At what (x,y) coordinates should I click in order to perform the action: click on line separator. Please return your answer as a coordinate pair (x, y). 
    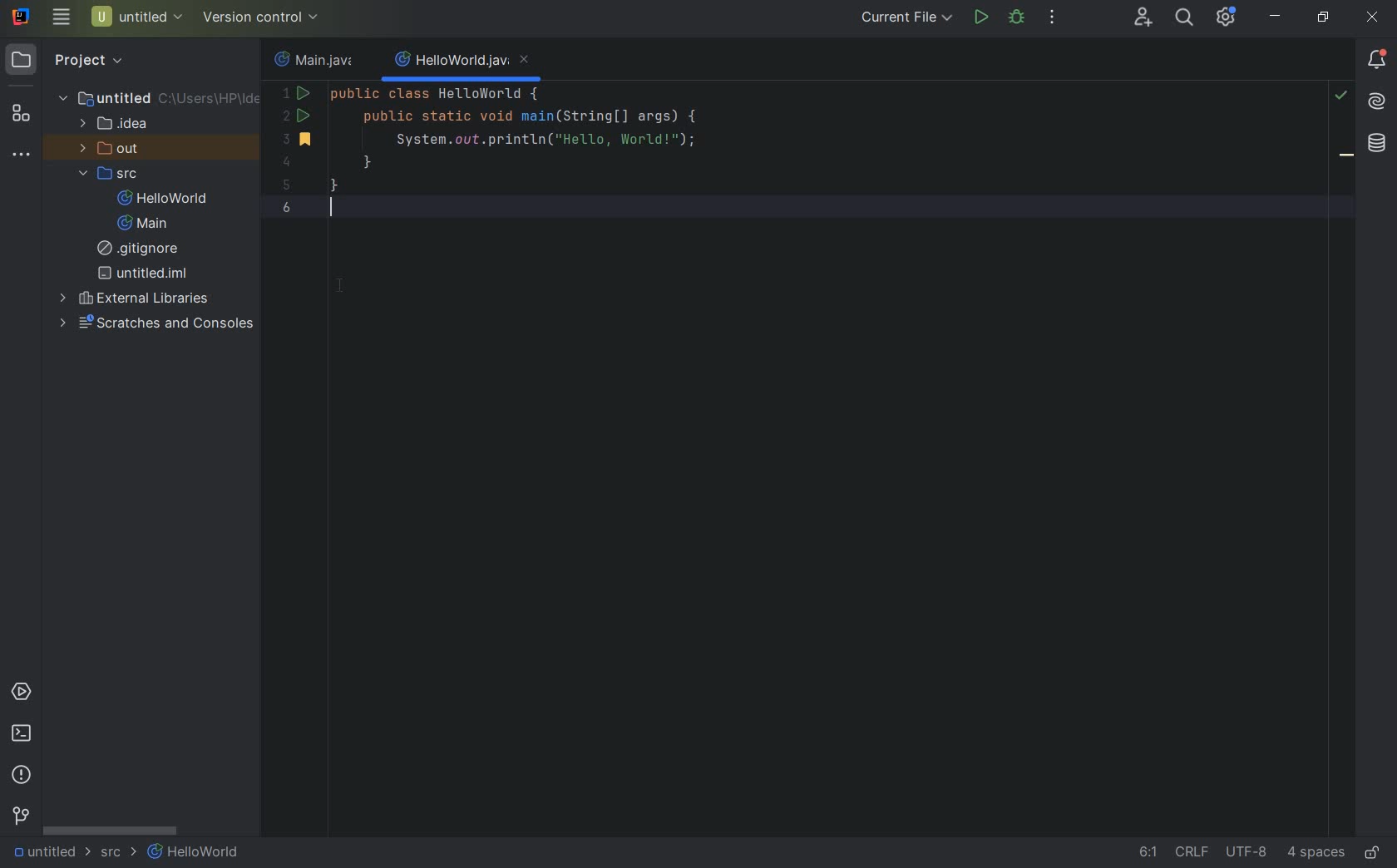
    Looking at the image, I should click on (1191, 854).